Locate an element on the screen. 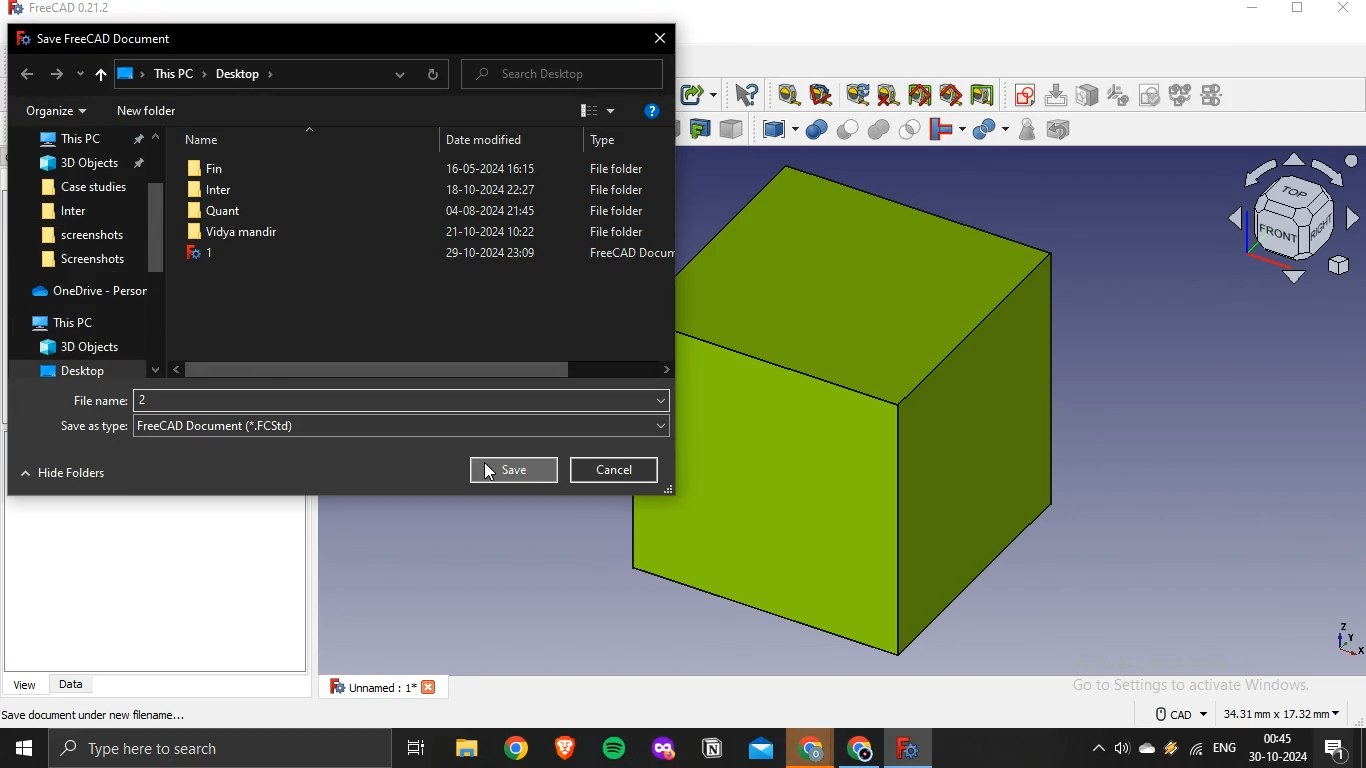 Image resolution: width=1366 pixels, height=768 pixels. 2 is located at coordinates (145, 401).